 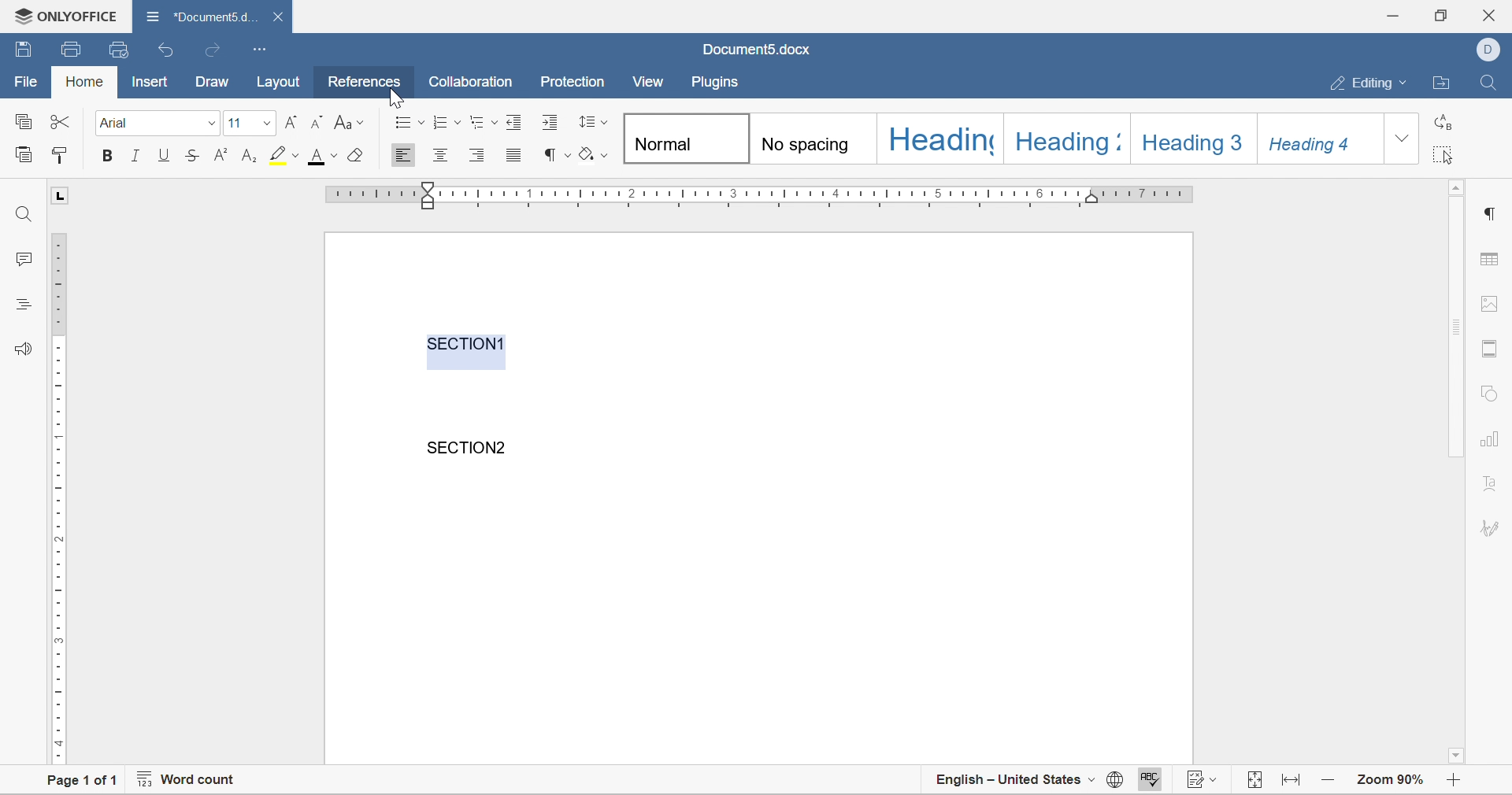 What do you see at coordinates (1488, 393) in the screenshot?
I see `shape settings` at bounding box center [1488, 393].